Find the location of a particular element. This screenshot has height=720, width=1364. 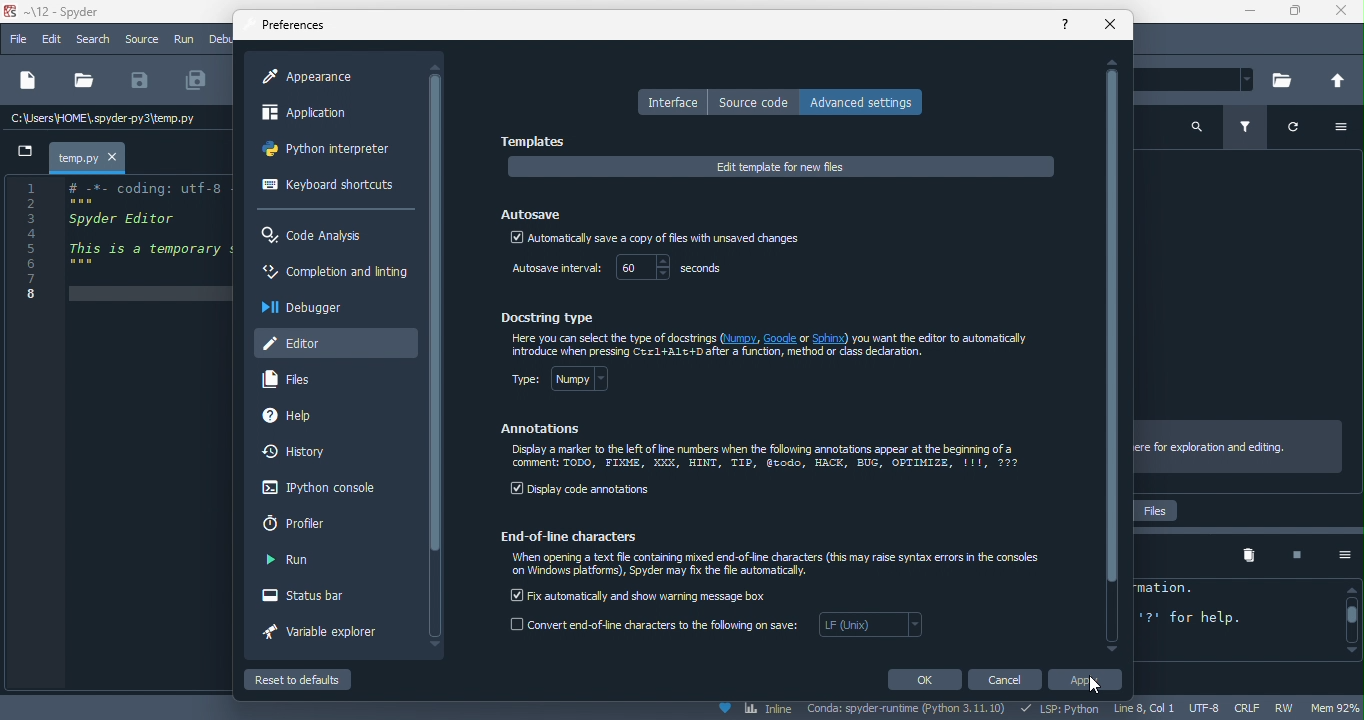

search is located at coordinates (1197, 125).